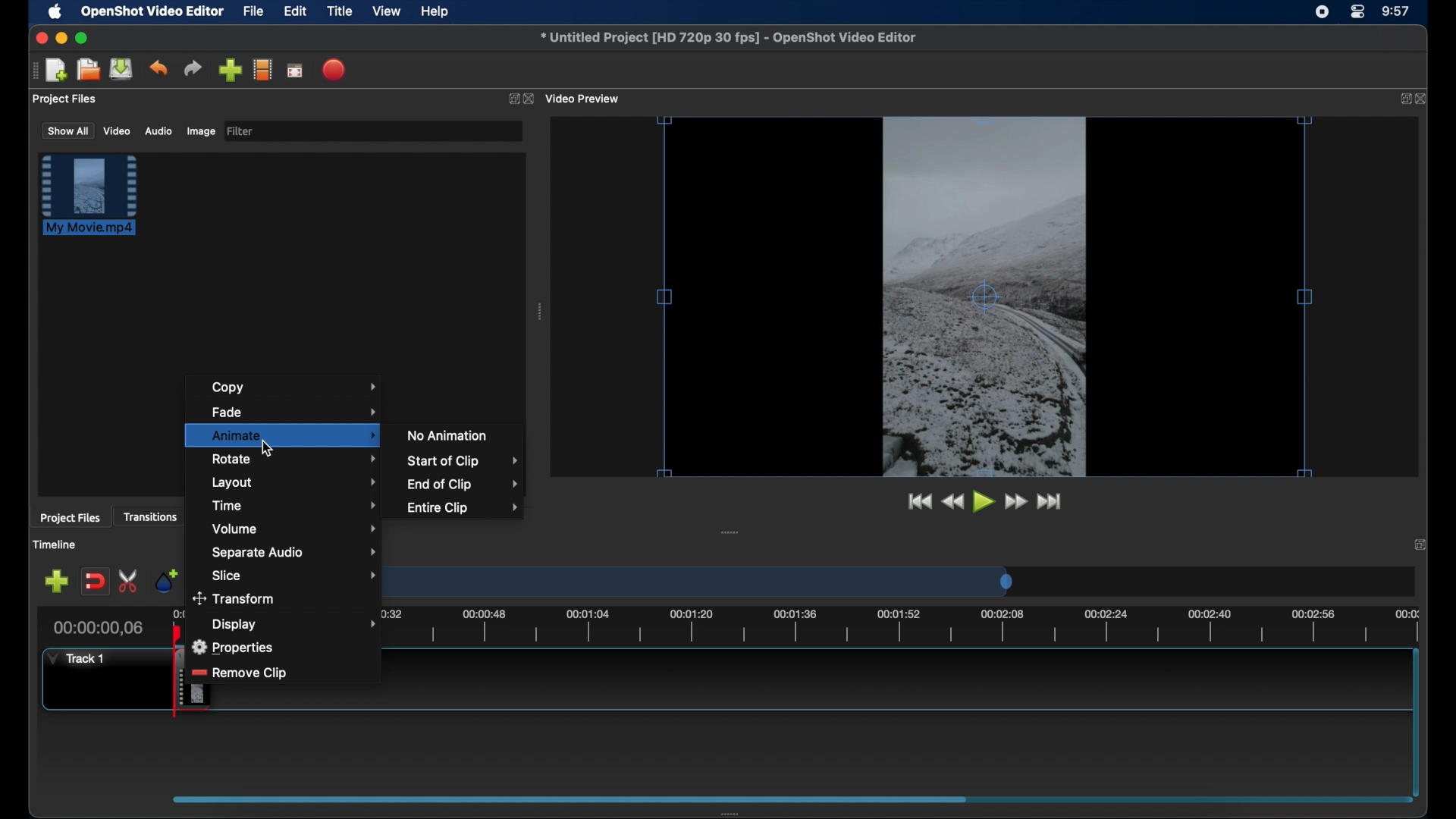  What do you see at coordinates (295, 12) in the screenshot?
I see `edit` at bounding box center [295, 12].